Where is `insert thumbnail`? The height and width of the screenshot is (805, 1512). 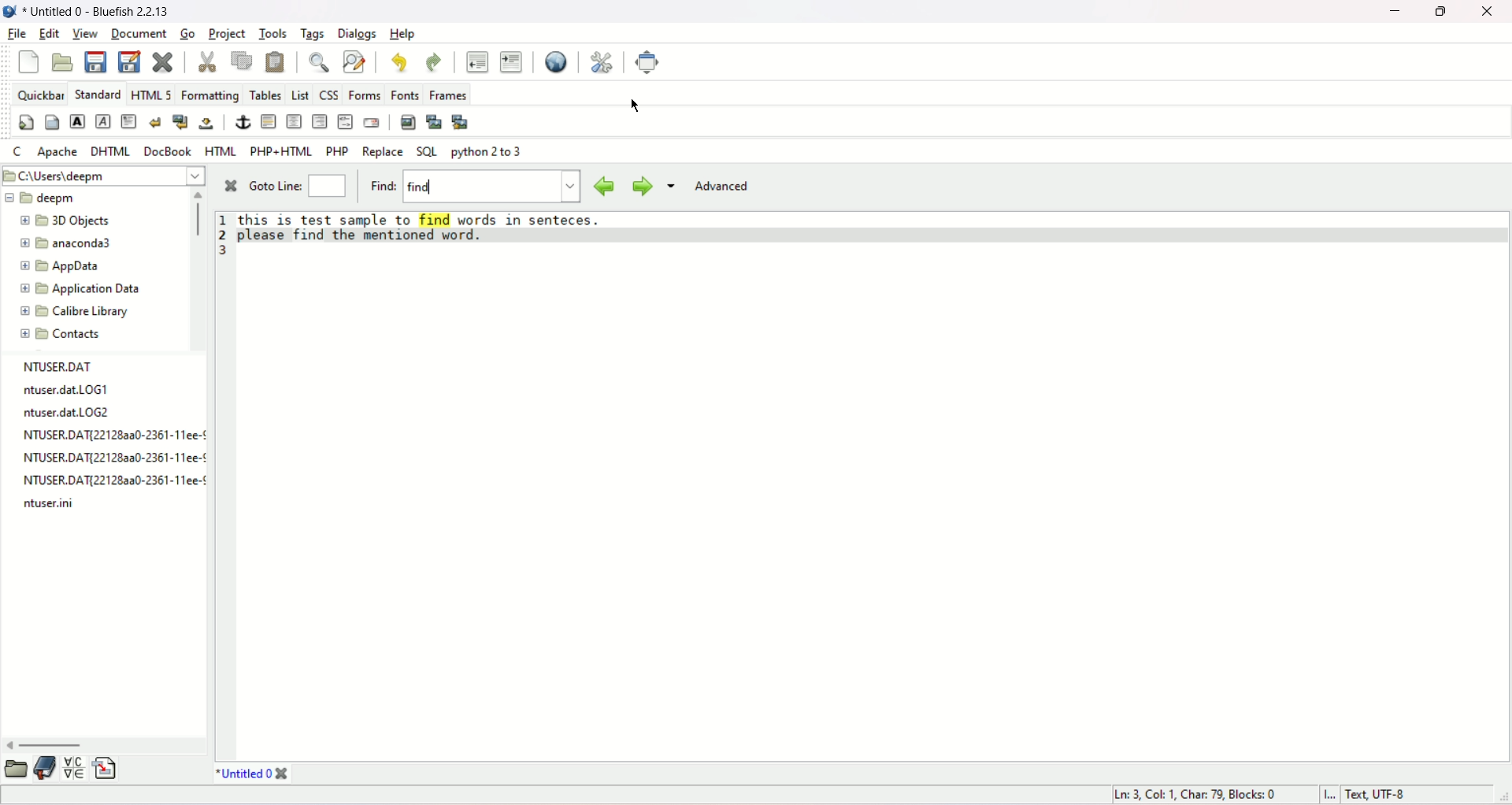 insert thumbnail is located at coordinates (433, 122).